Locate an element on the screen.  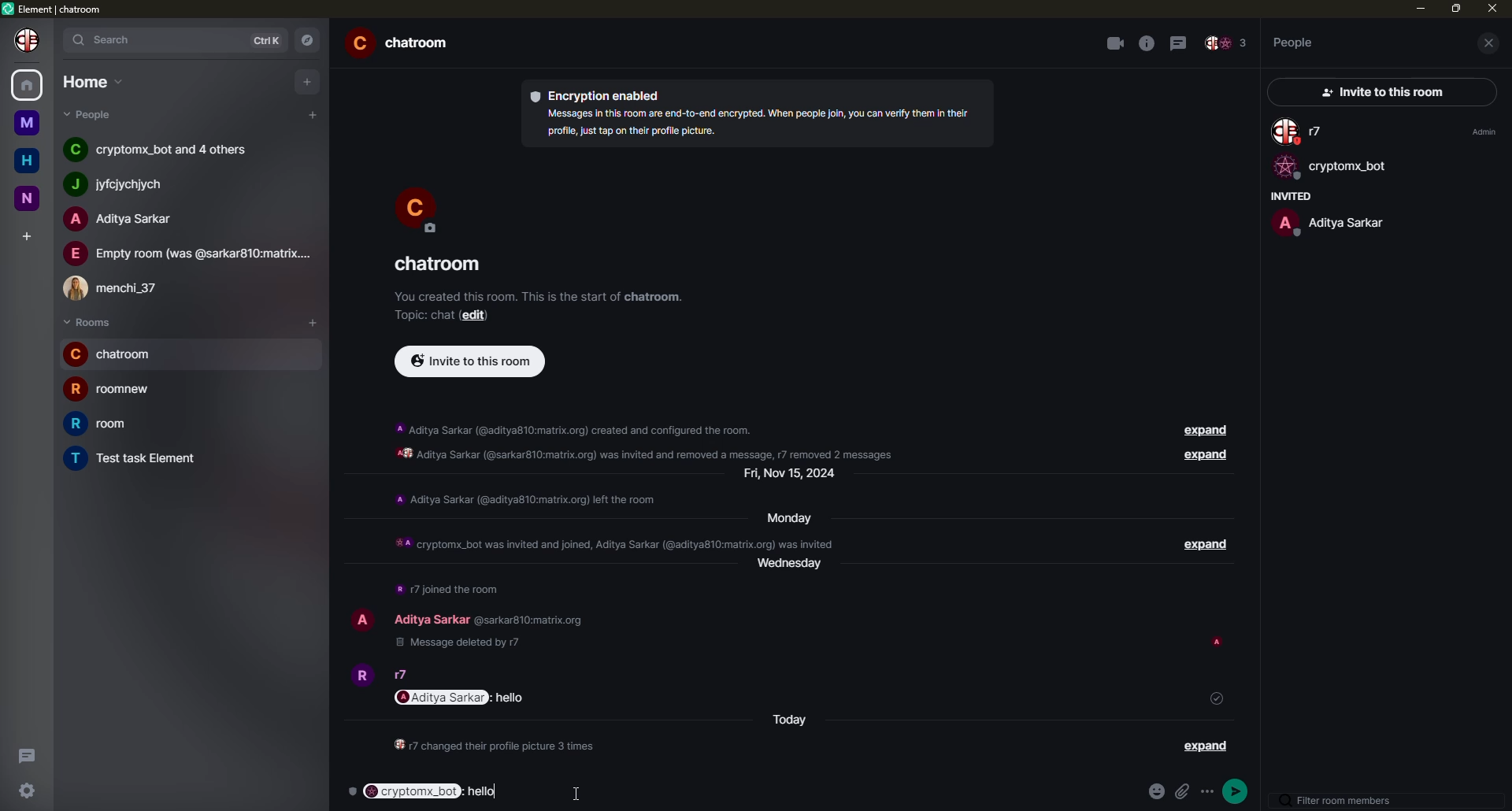
room is located at coordinates (405, 45).